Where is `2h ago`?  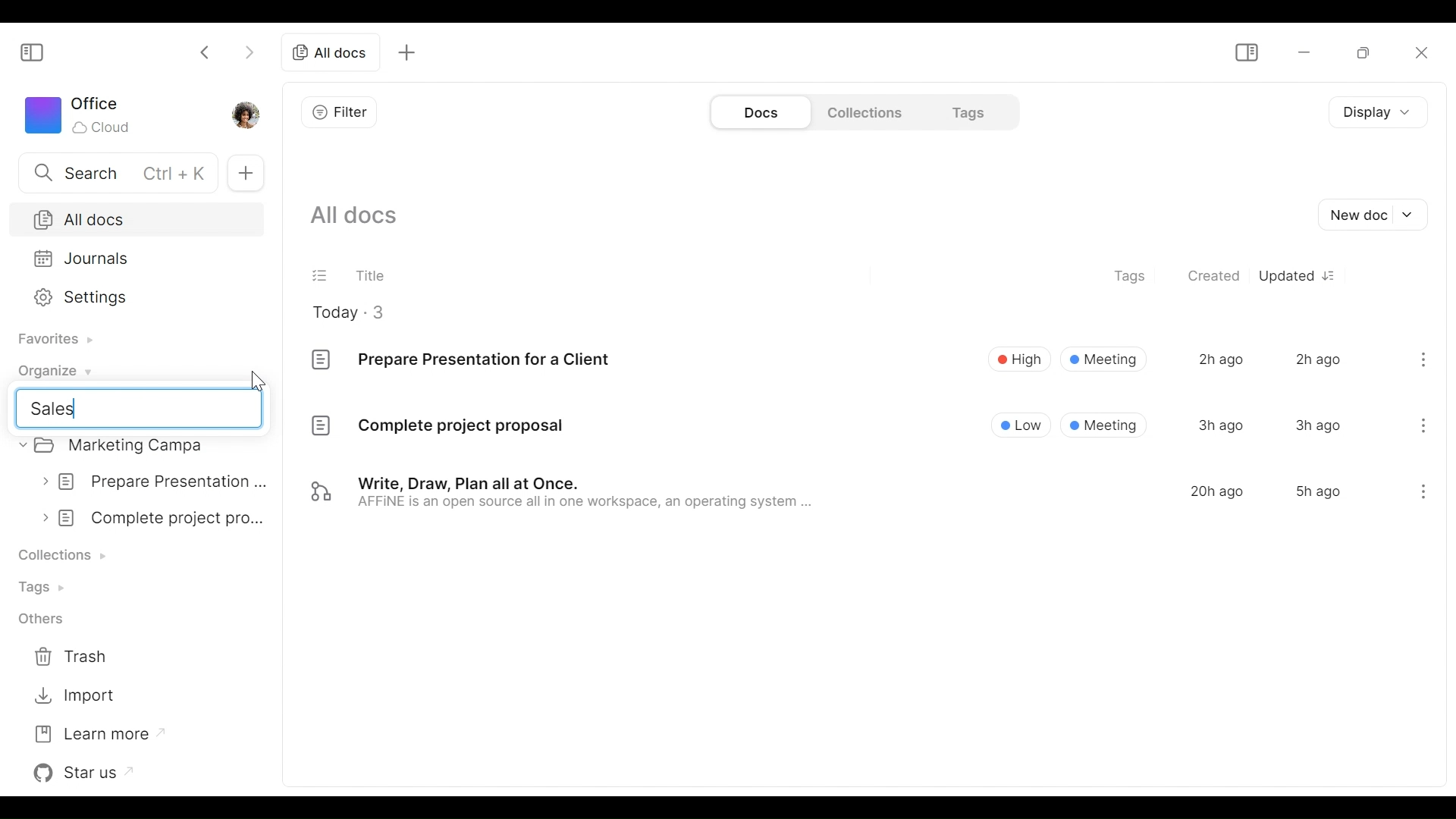
2h ago is located at coordinates (1219, 359).